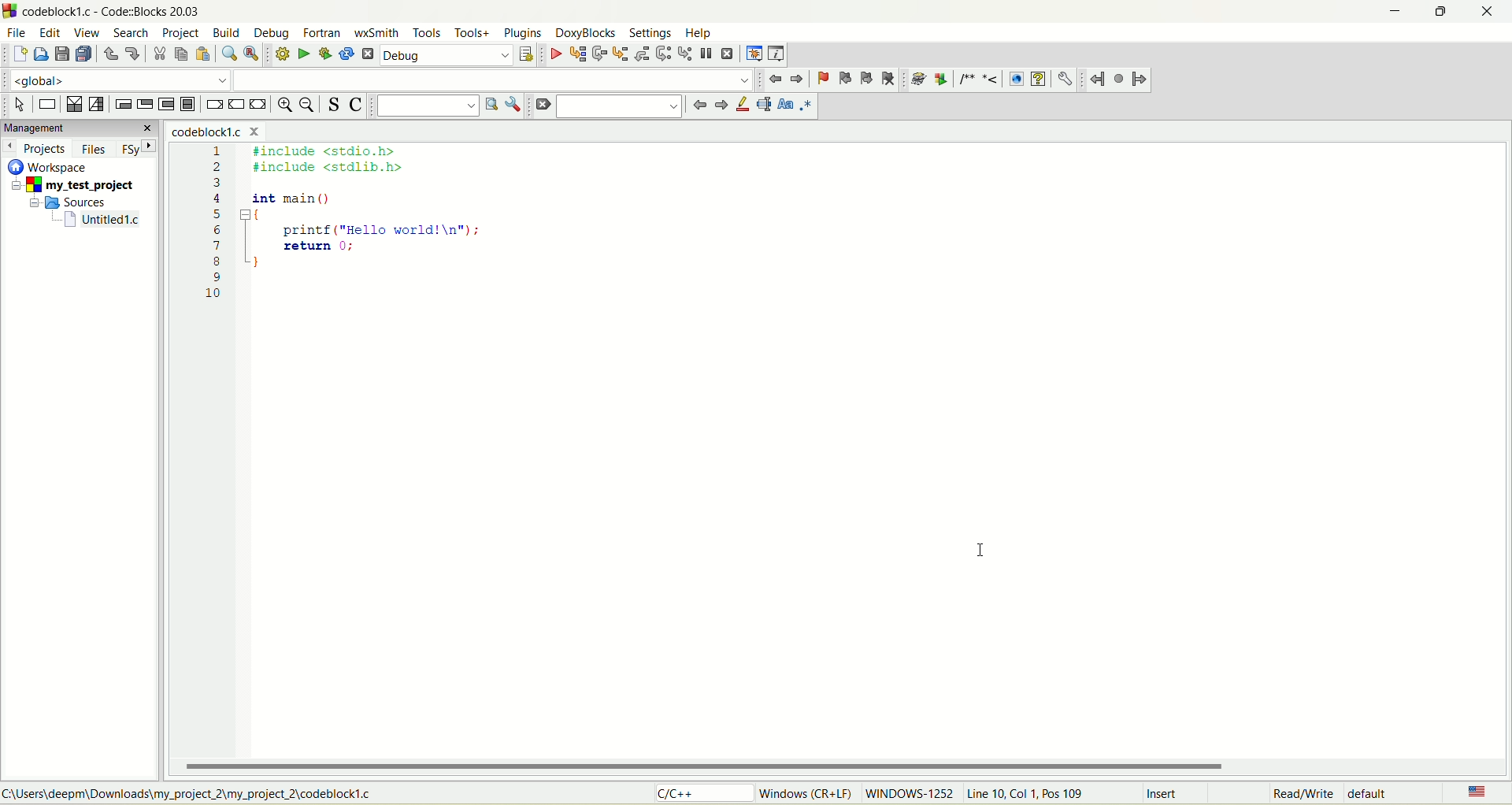 The width and height of the screenshot is (1512, 805). I want to click on prev bookmark, so click(842, 77).